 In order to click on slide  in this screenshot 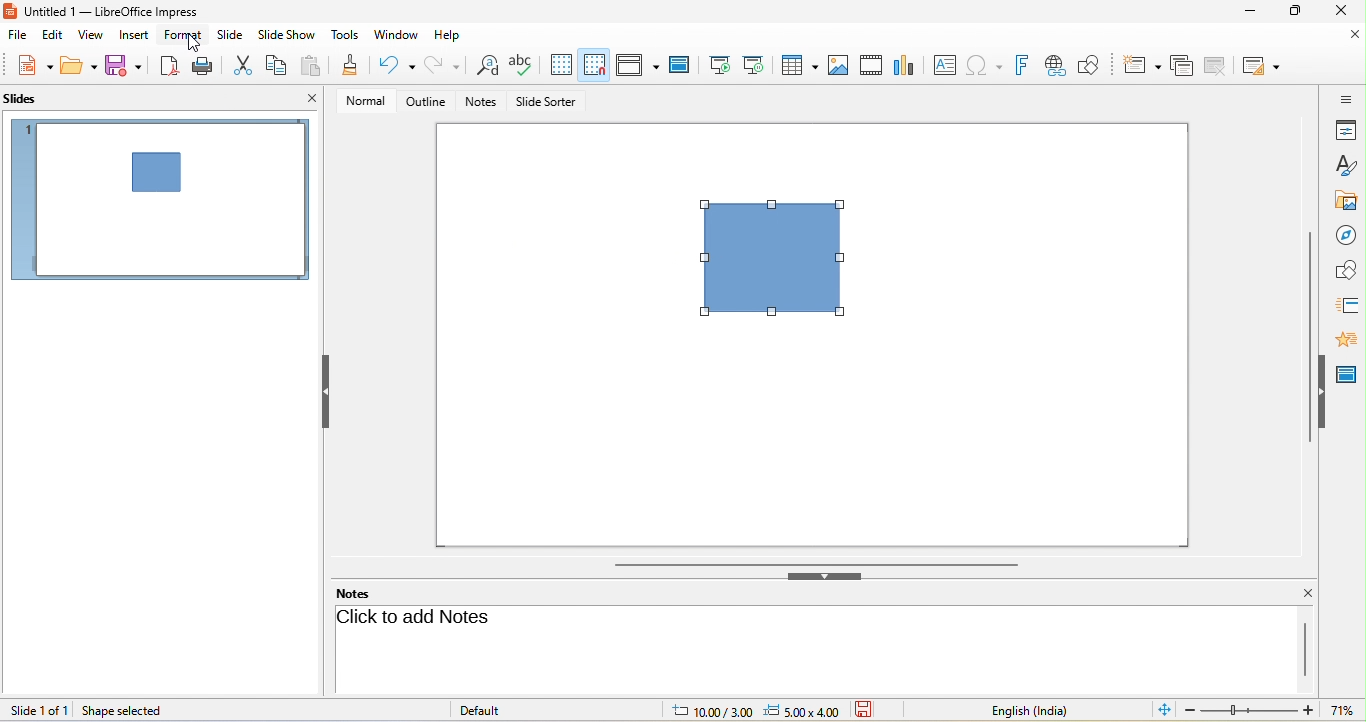, I will do `click(160, 201)`.